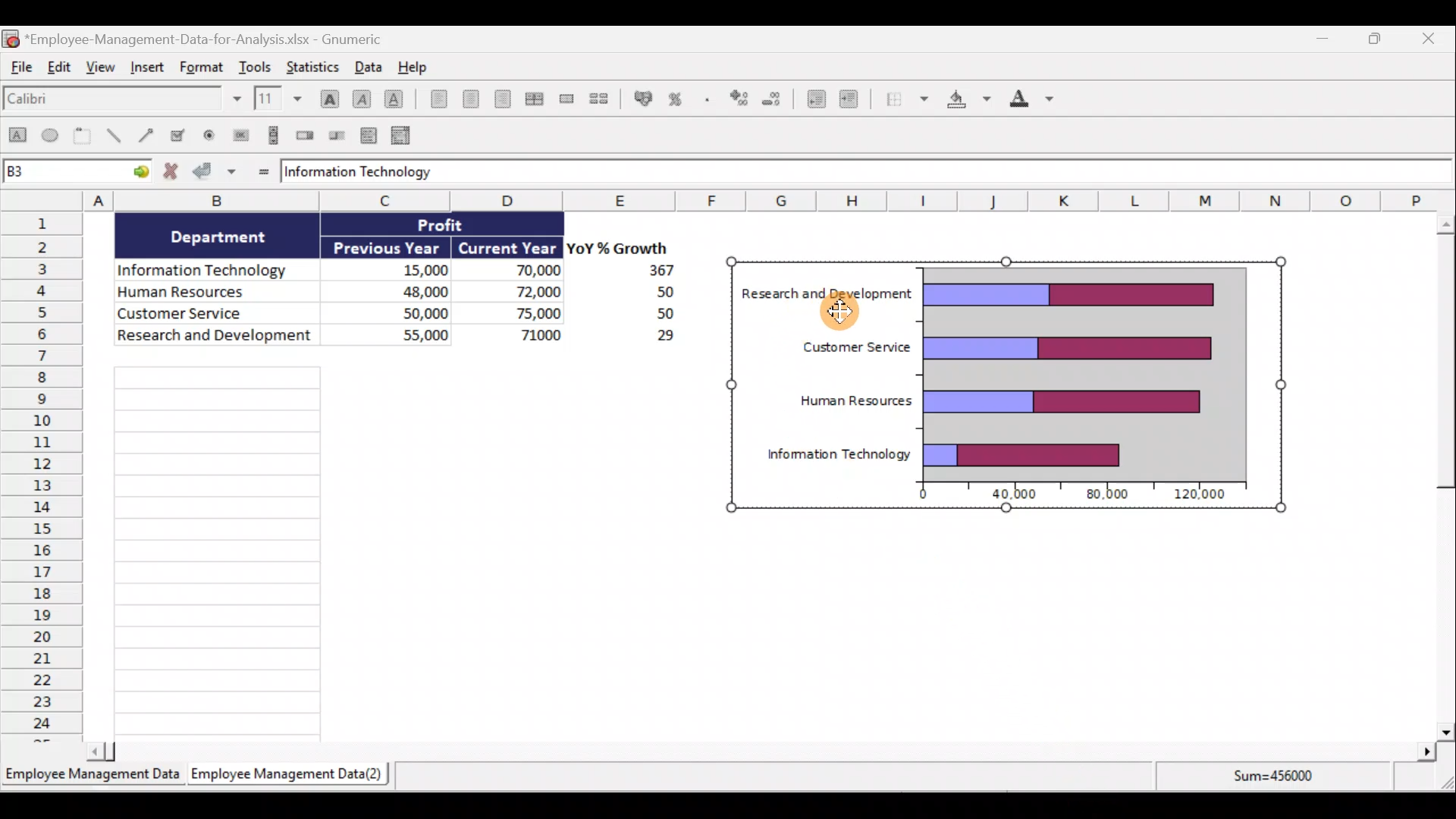  I want to click on Minimize, so click(1321, 40).